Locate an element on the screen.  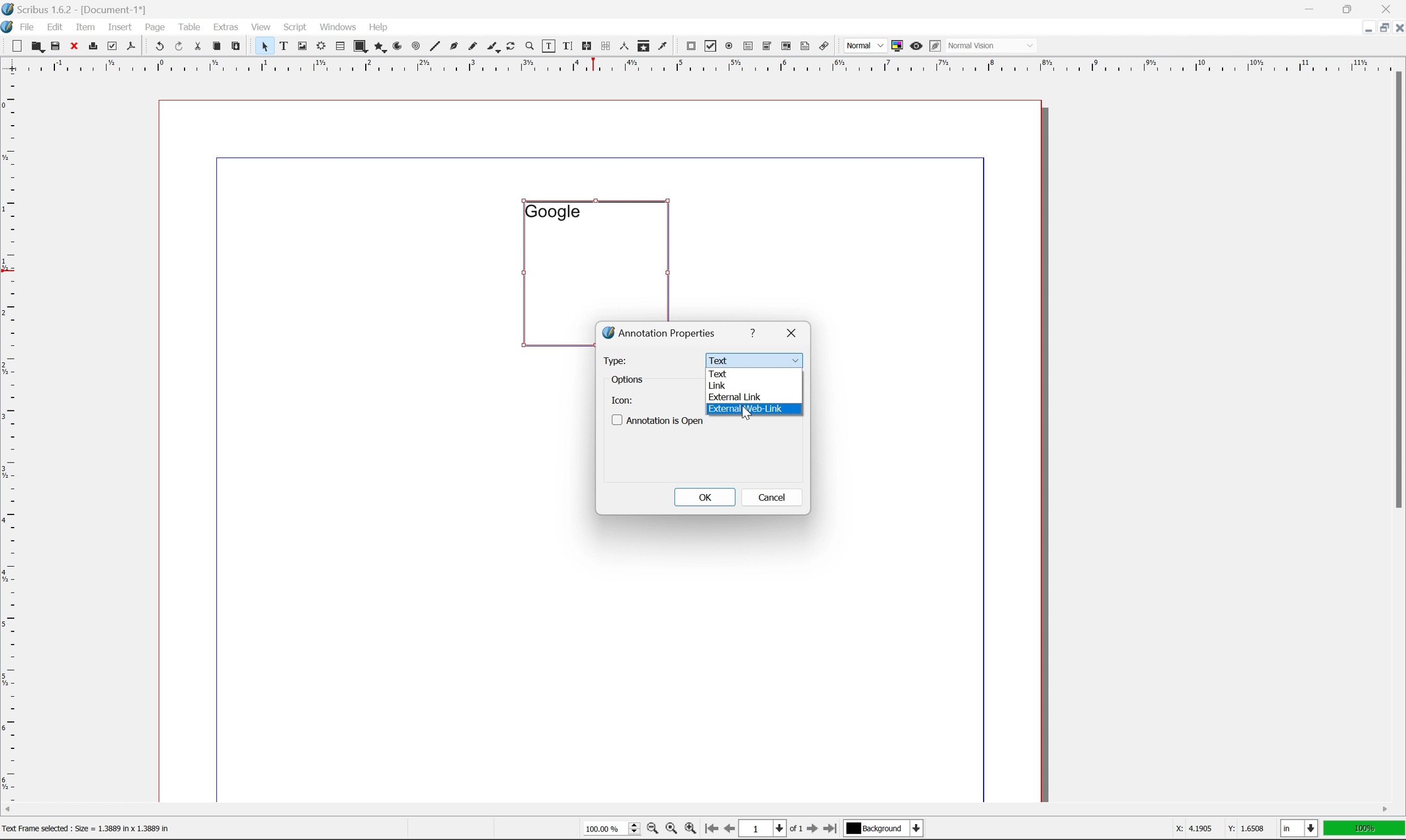
new is located at coordinates (18, 46).